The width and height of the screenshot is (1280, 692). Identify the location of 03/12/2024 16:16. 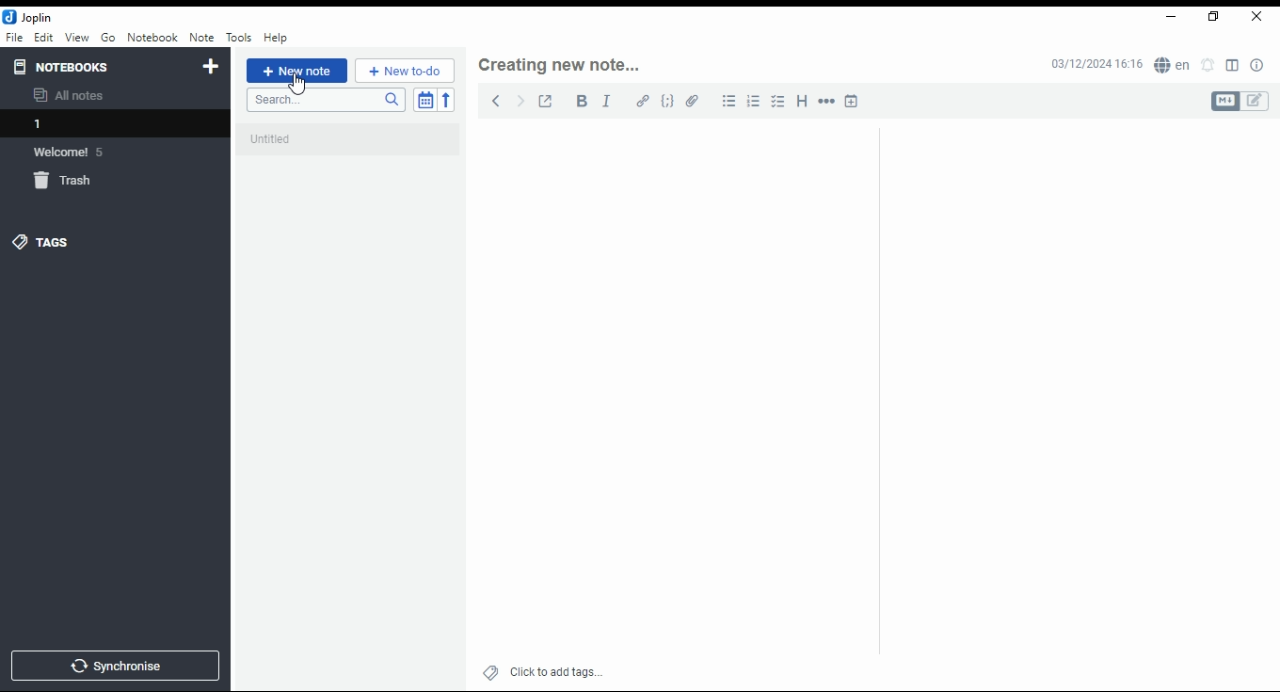
(1096, 64).